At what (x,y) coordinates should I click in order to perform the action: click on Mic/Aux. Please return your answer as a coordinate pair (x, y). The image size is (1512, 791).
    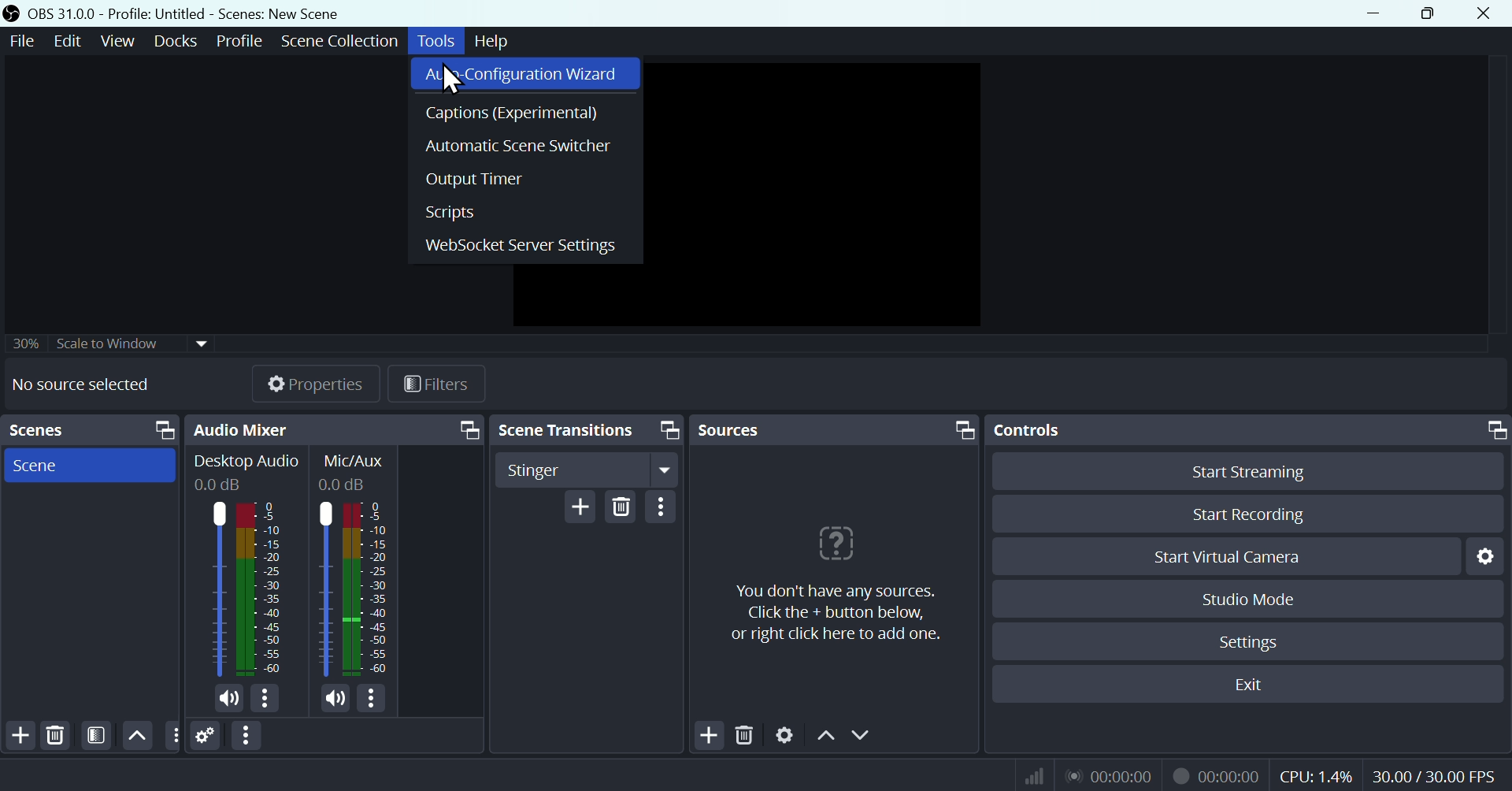
    Looking at the image, I should click on (356, 565).